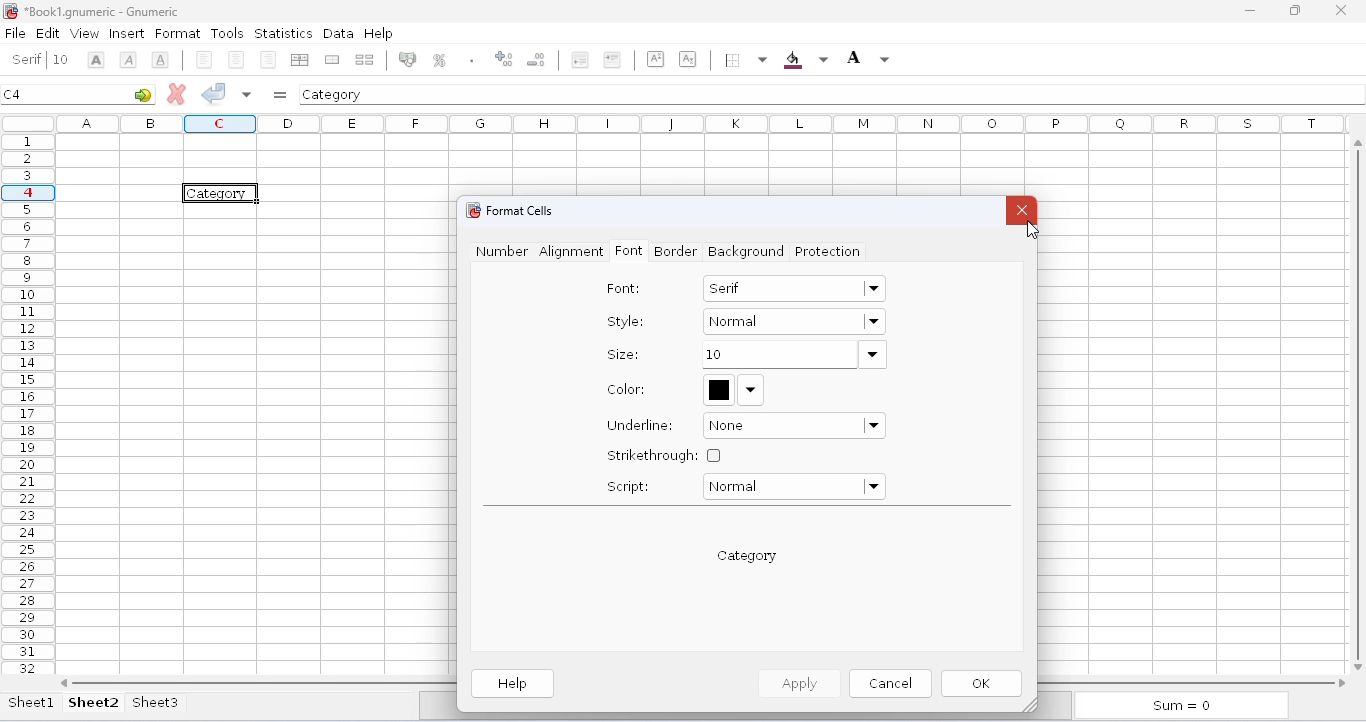  I want to click on insert, so click(127, 34).